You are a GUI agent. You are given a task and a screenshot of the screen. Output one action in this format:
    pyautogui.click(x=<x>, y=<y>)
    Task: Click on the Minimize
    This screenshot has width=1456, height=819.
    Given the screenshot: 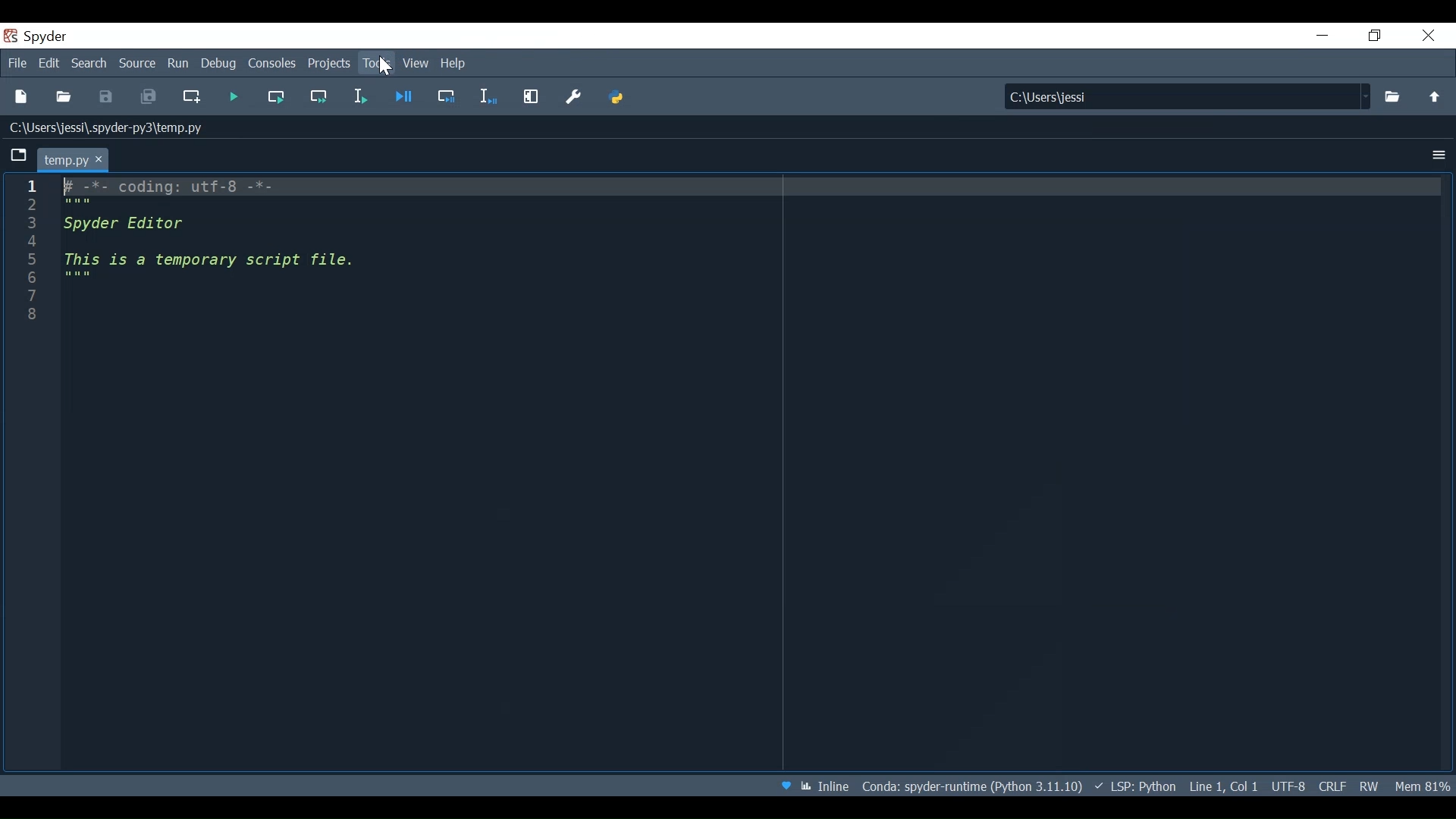 What is the action you would take?
    pyautogui.click(x=1322, y=36)
    